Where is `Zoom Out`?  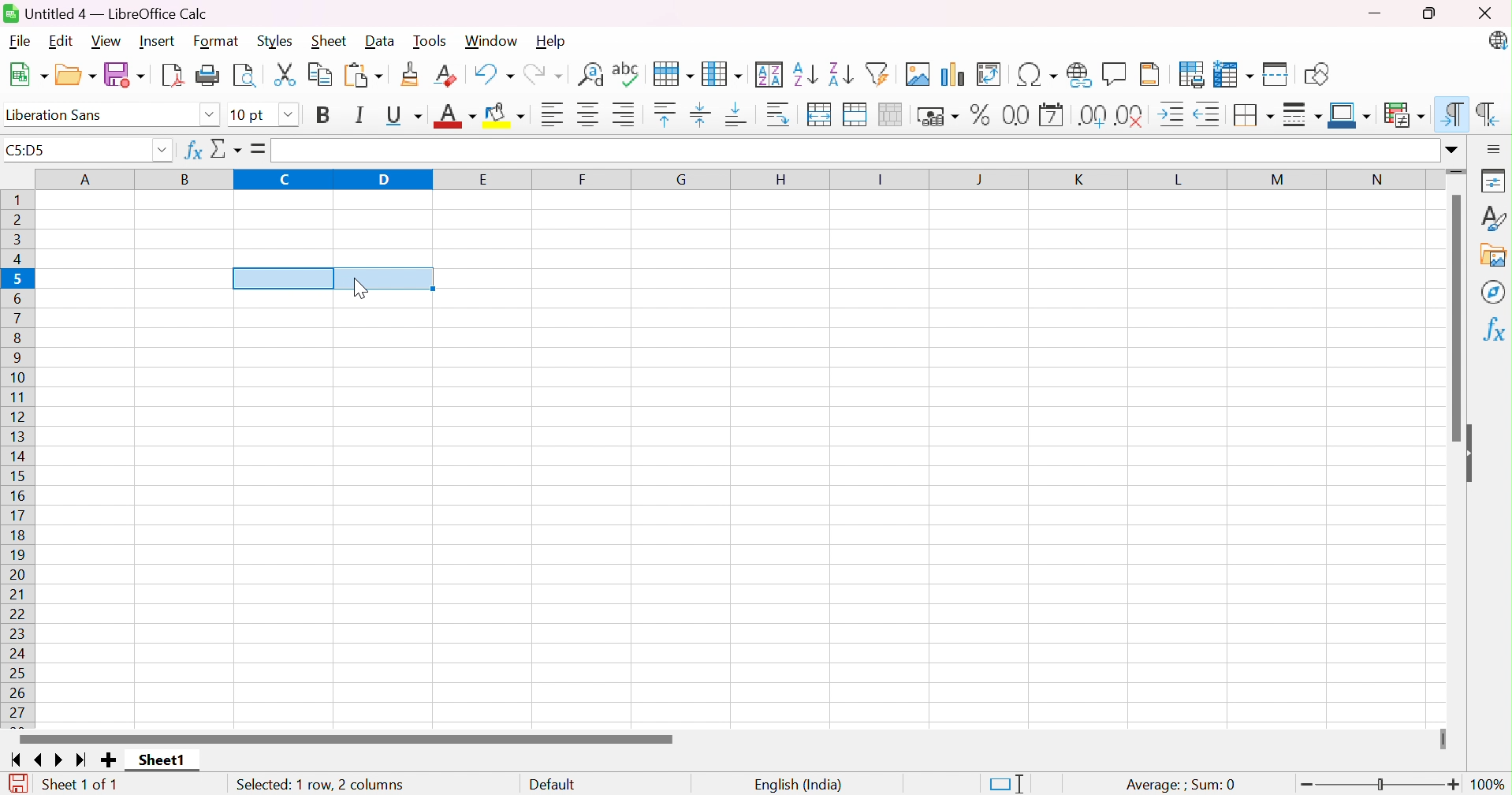 Zoom Out is located at coordinates (1309, 785).